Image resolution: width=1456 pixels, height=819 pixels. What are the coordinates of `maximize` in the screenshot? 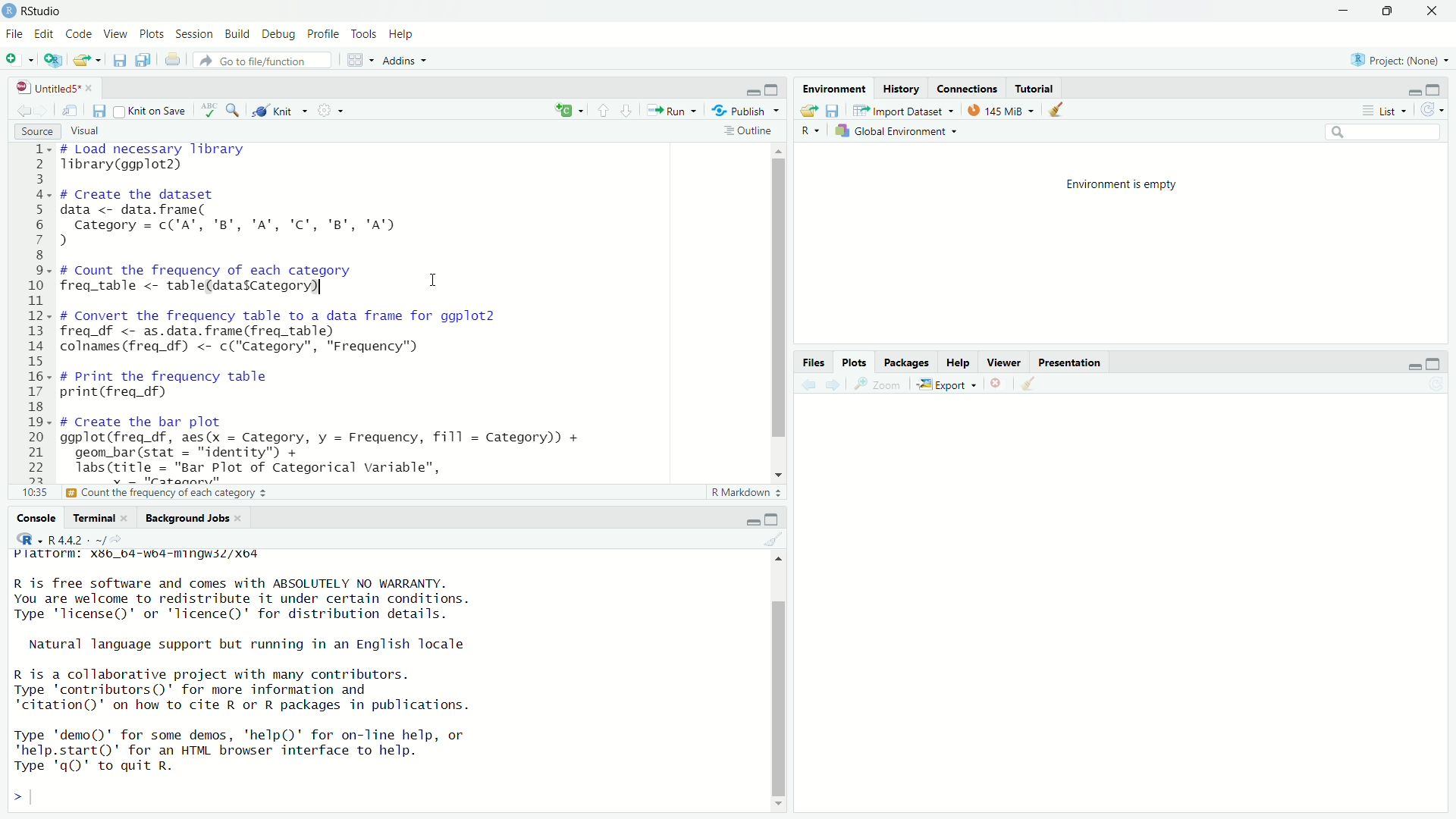 It's located at (1435, 90).